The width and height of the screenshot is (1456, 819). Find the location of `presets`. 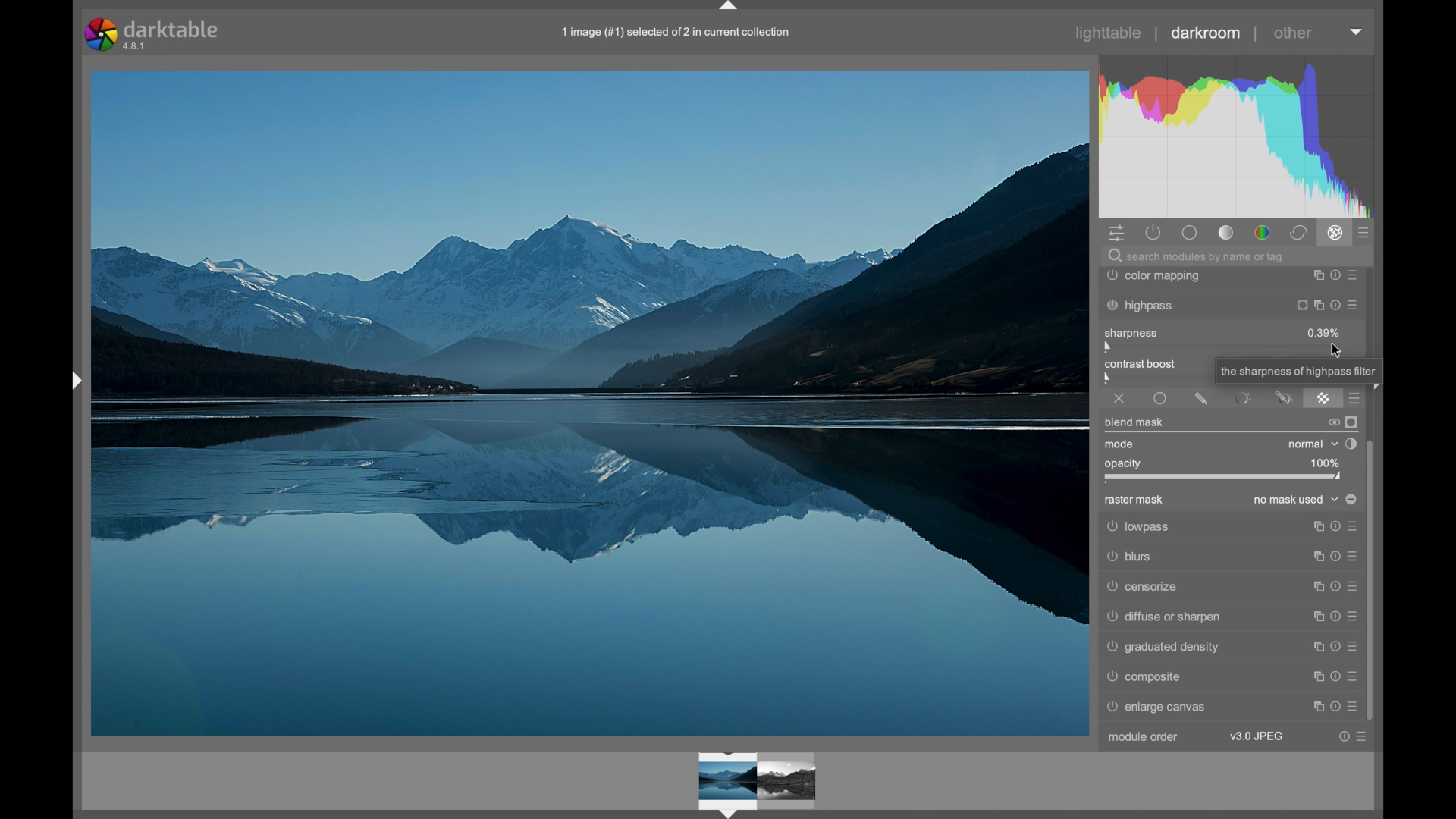

presets is located at coordinates (1364, 234).